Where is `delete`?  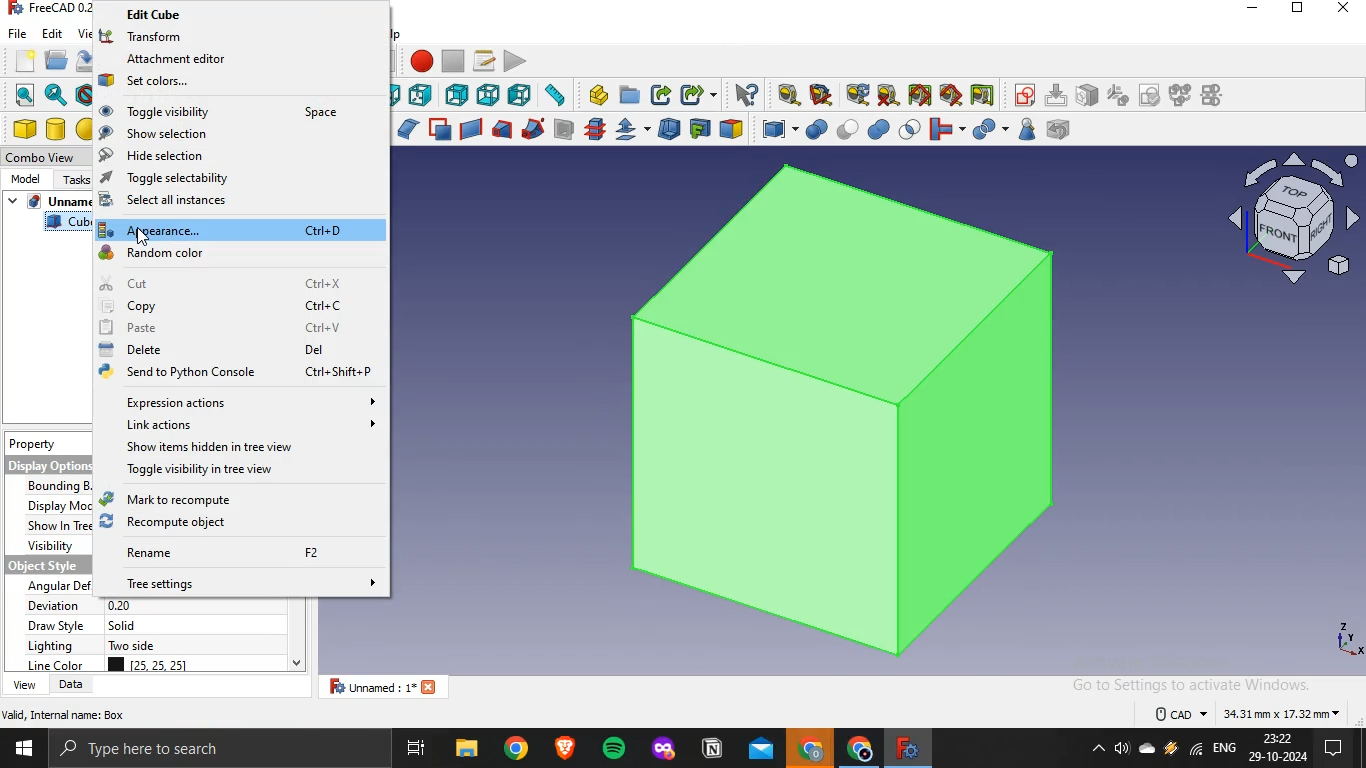 delete is located at coordinates (221, 351).